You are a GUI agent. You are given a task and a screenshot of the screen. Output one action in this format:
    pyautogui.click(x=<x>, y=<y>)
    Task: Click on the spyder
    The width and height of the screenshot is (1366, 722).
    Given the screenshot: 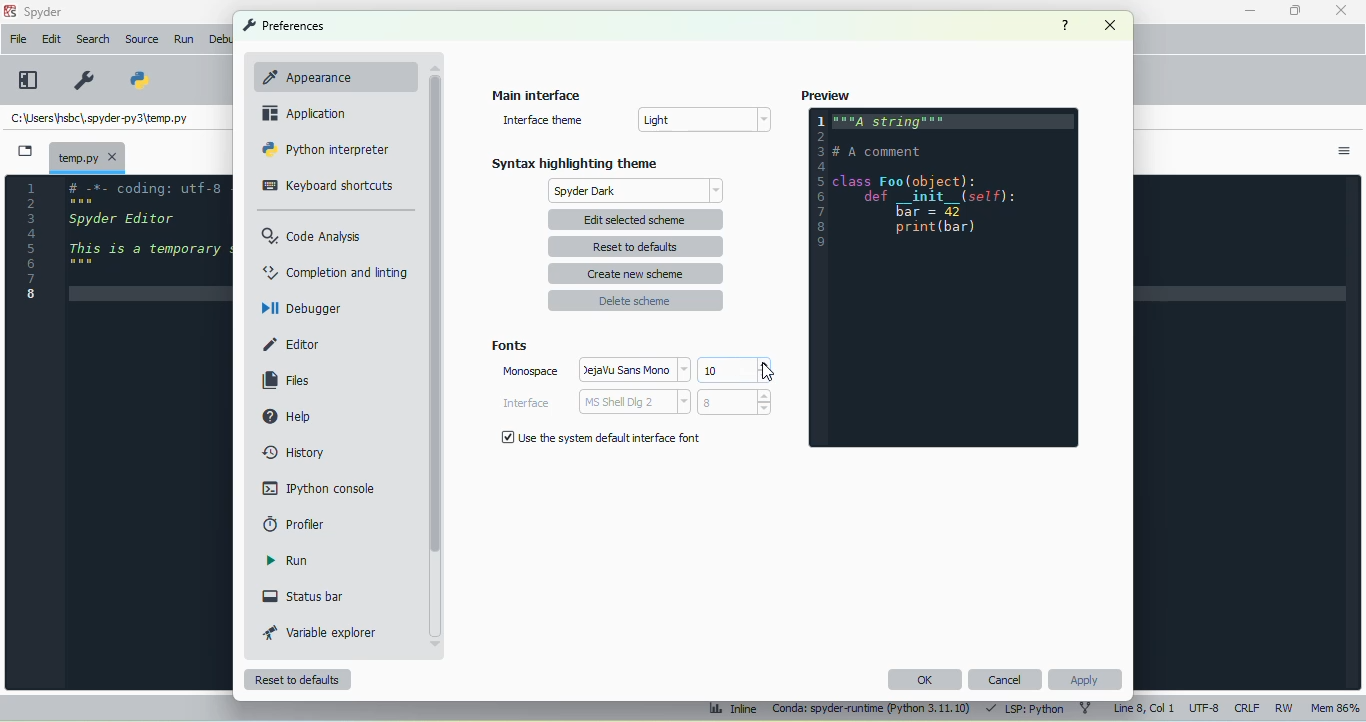 What is the action you would take?
    pyautogui.click(x=44, y=12)
    